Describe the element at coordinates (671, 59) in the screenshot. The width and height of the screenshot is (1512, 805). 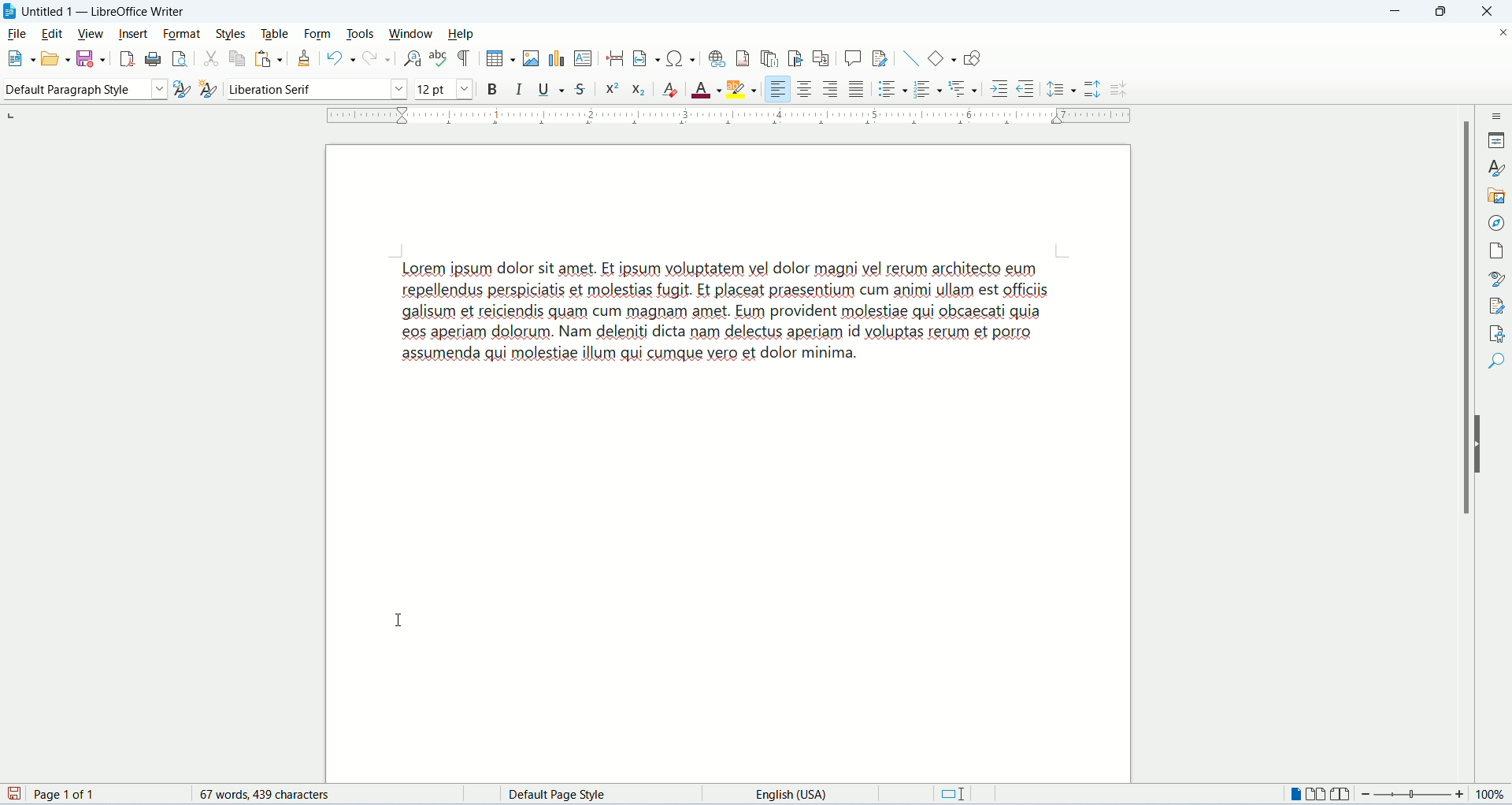
I see `insert special character` at that location.